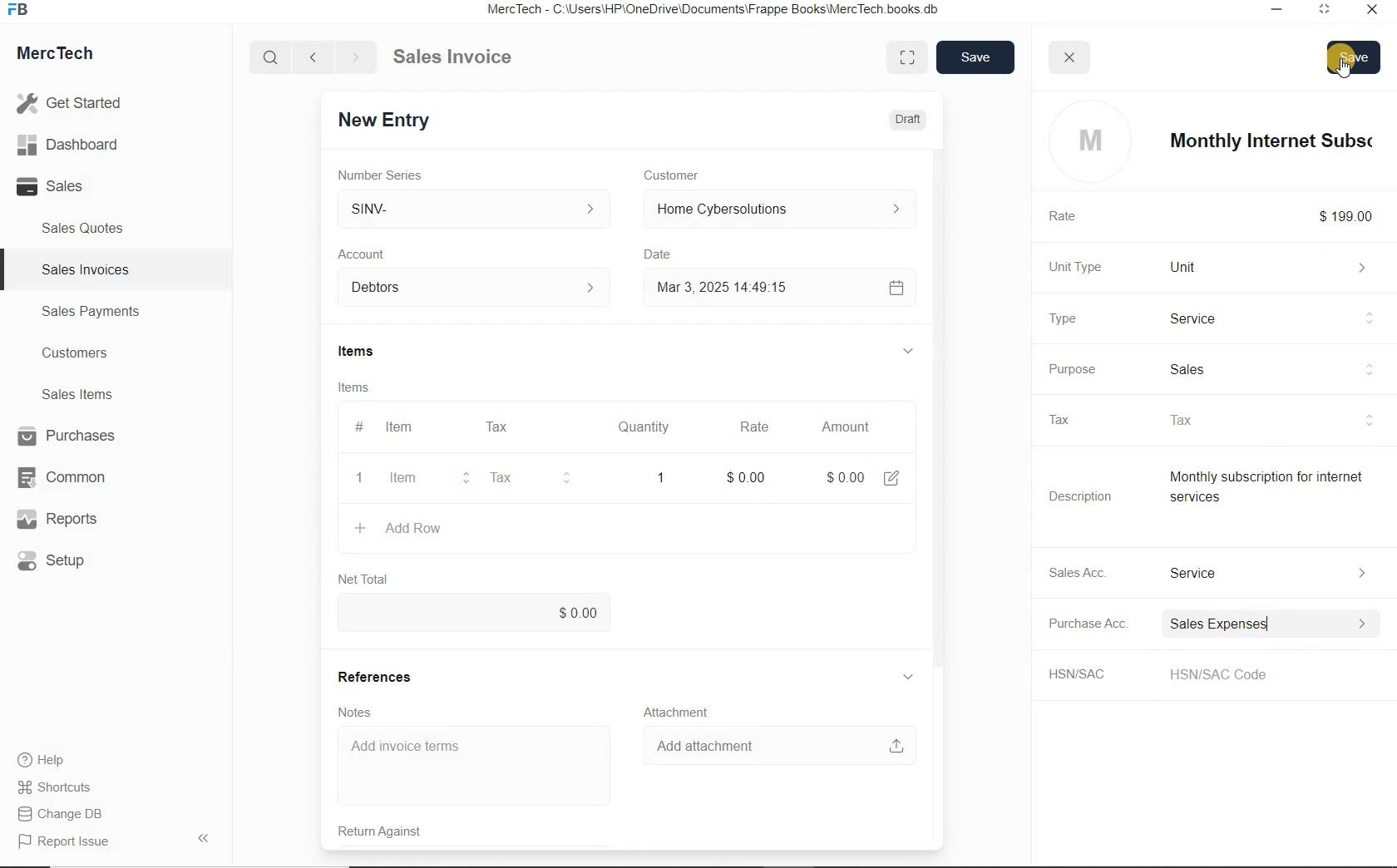 This screenshot has height=868, width=1397. I want to click on Help, so click(50, 760).